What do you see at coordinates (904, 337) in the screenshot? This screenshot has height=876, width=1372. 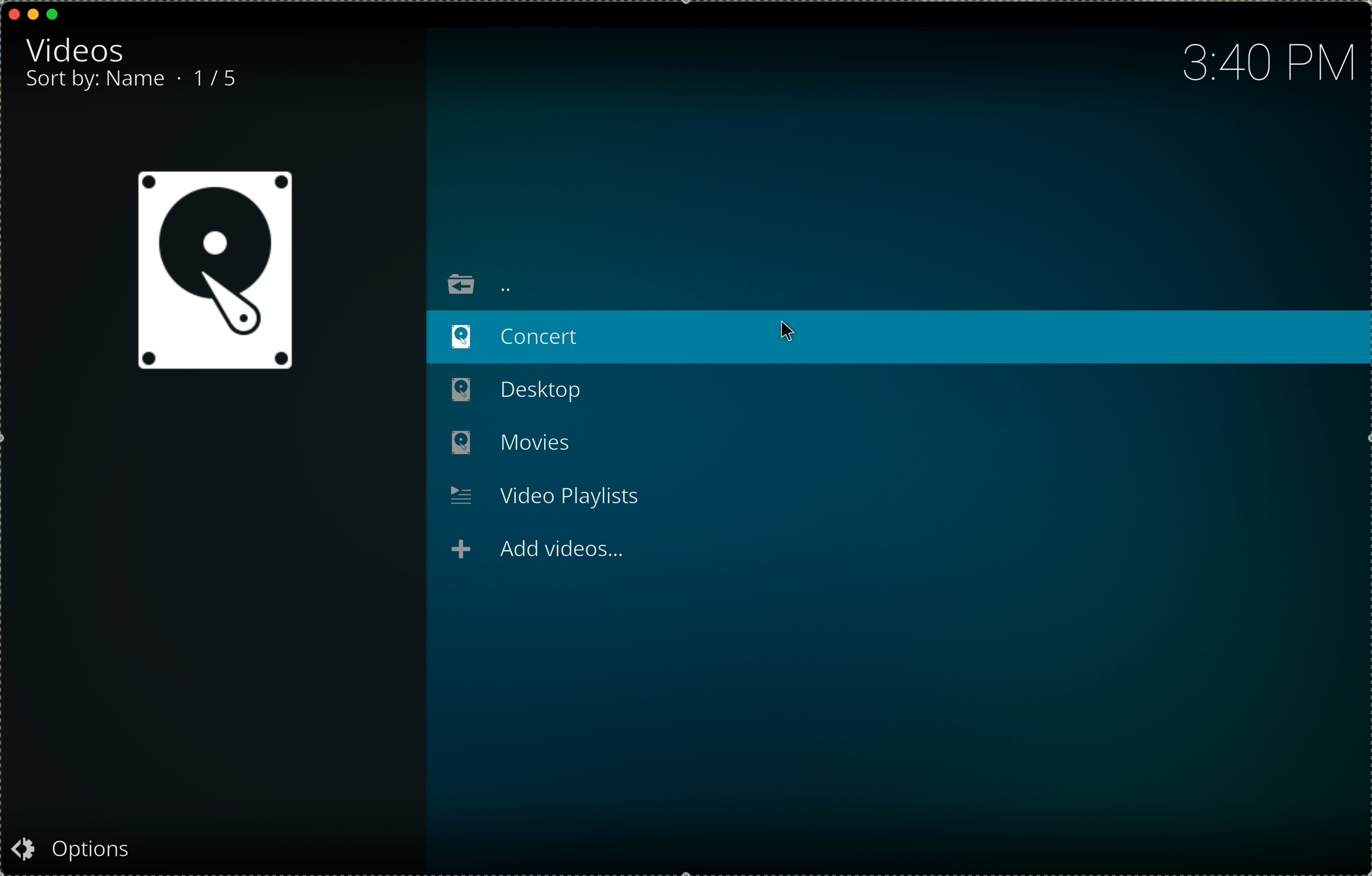 I see `click on concert folder` at bounding box center [904, 337].